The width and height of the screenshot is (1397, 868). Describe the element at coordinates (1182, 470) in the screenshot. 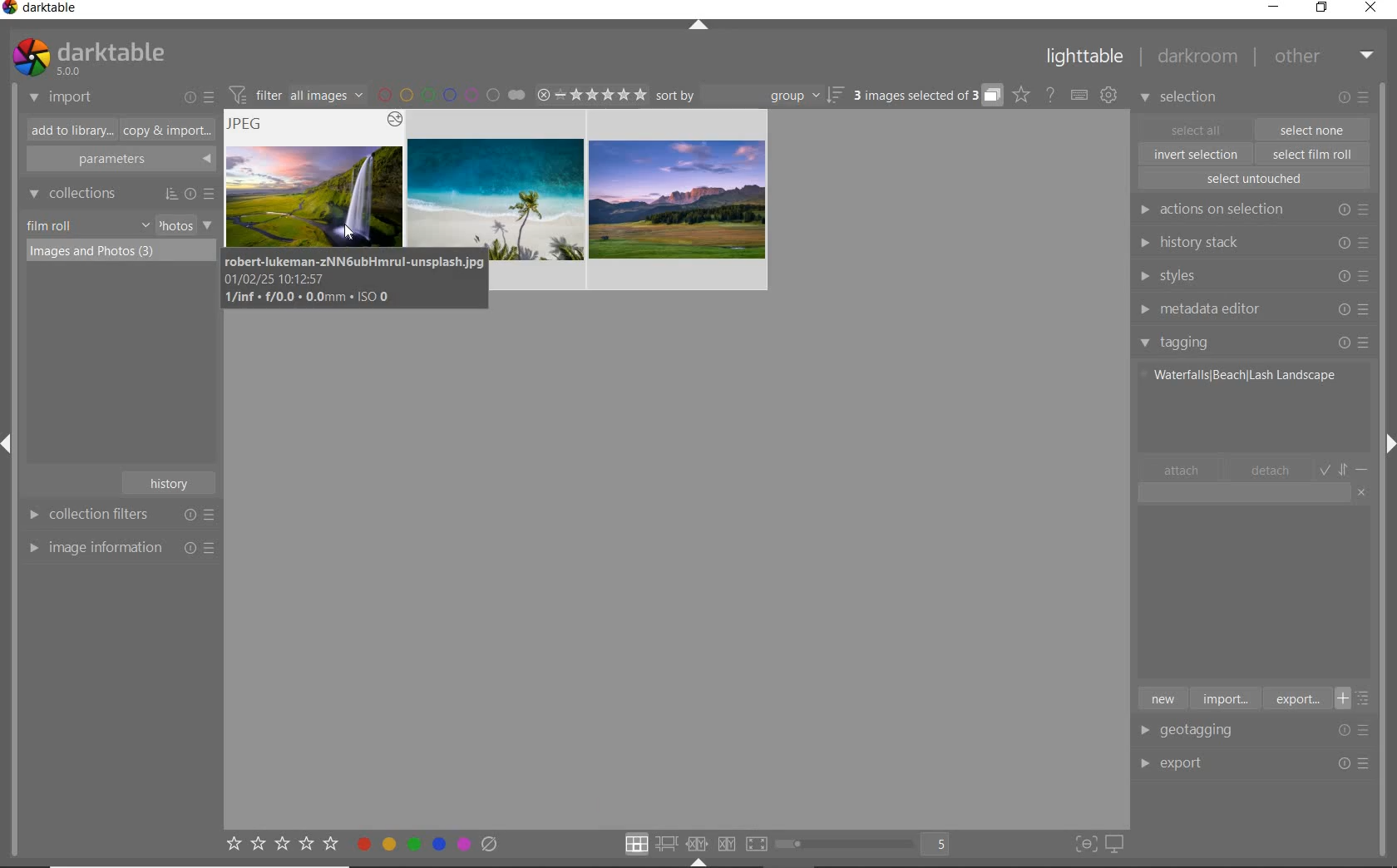

I see `attach` at that location.